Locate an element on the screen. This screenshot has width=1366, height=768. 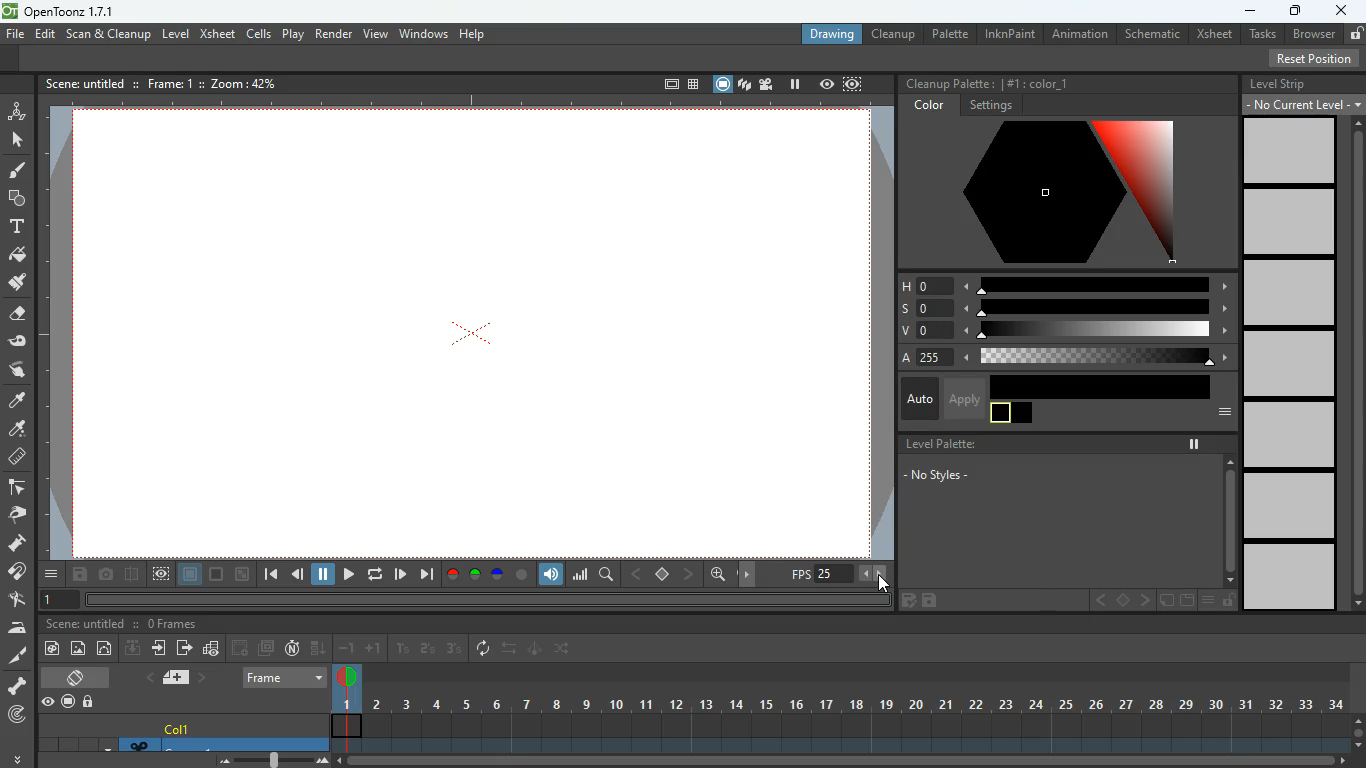
scroll bar is located at coordinates (1357, 734).